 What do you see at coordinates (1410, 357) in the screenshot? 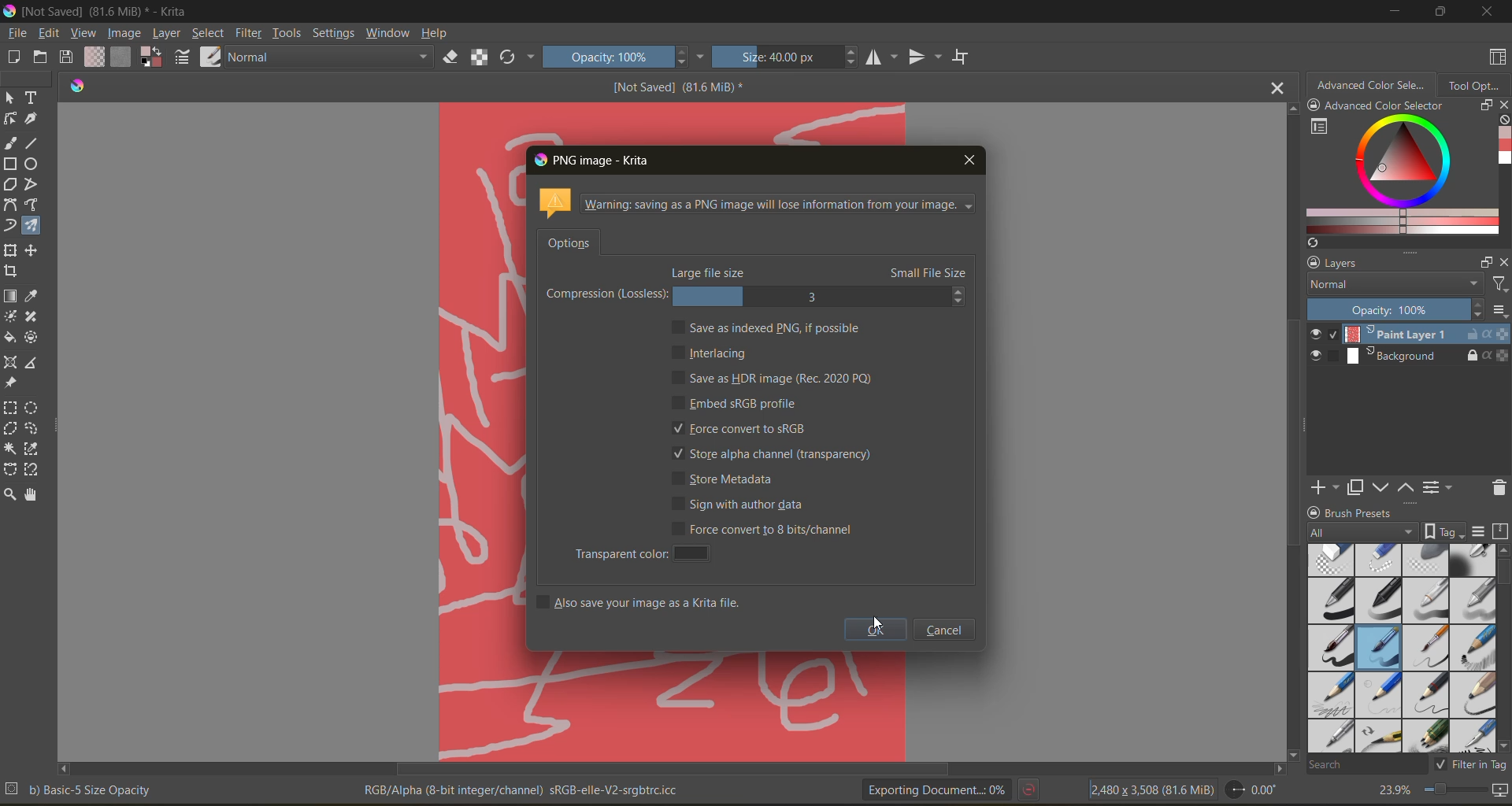
I see `layer` at bounding box center [1410, 357].